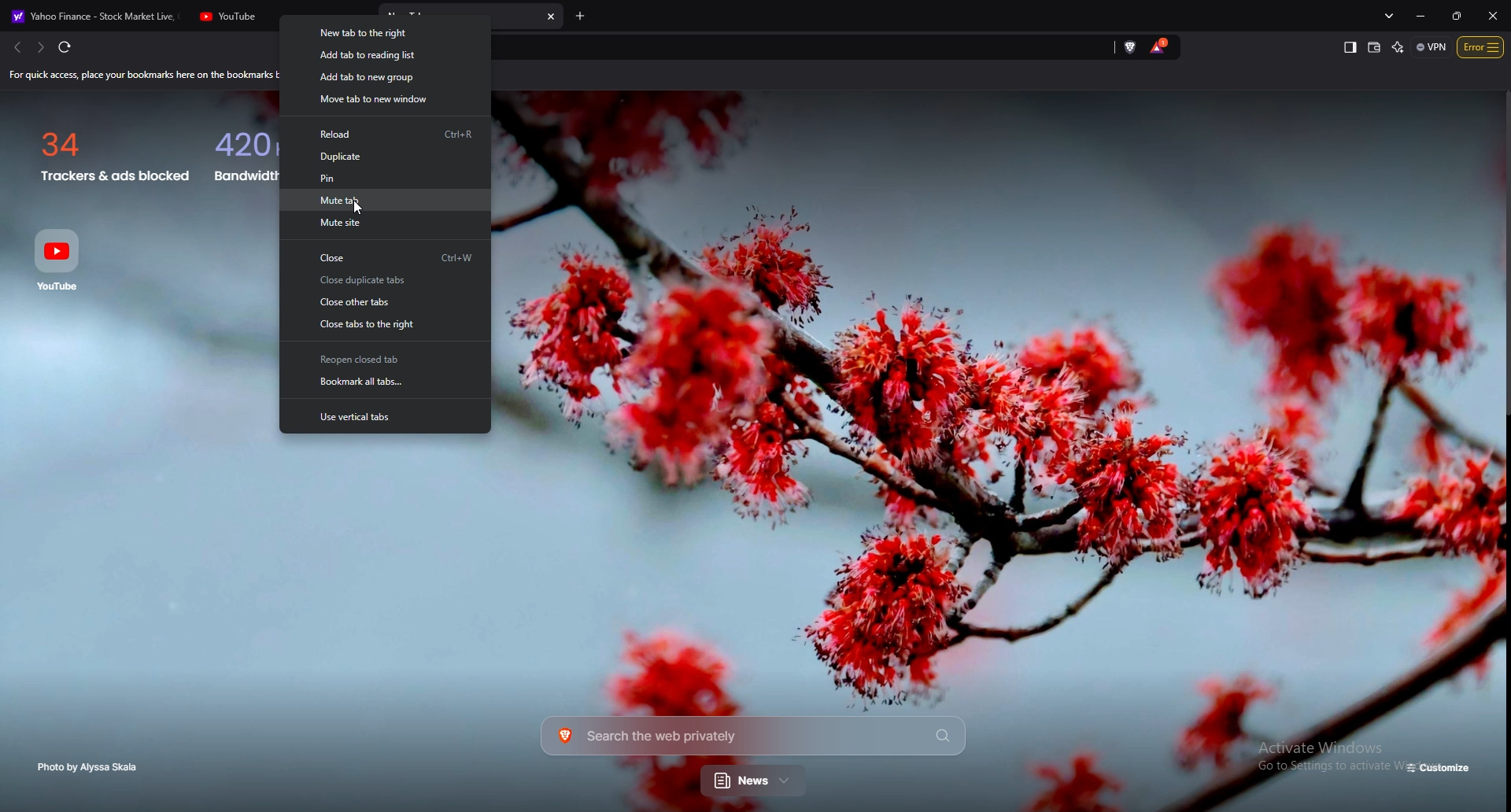 The width and height of the screenshot is (1511, 812). I want to click on close duplicate tabs, so click(386, 279).